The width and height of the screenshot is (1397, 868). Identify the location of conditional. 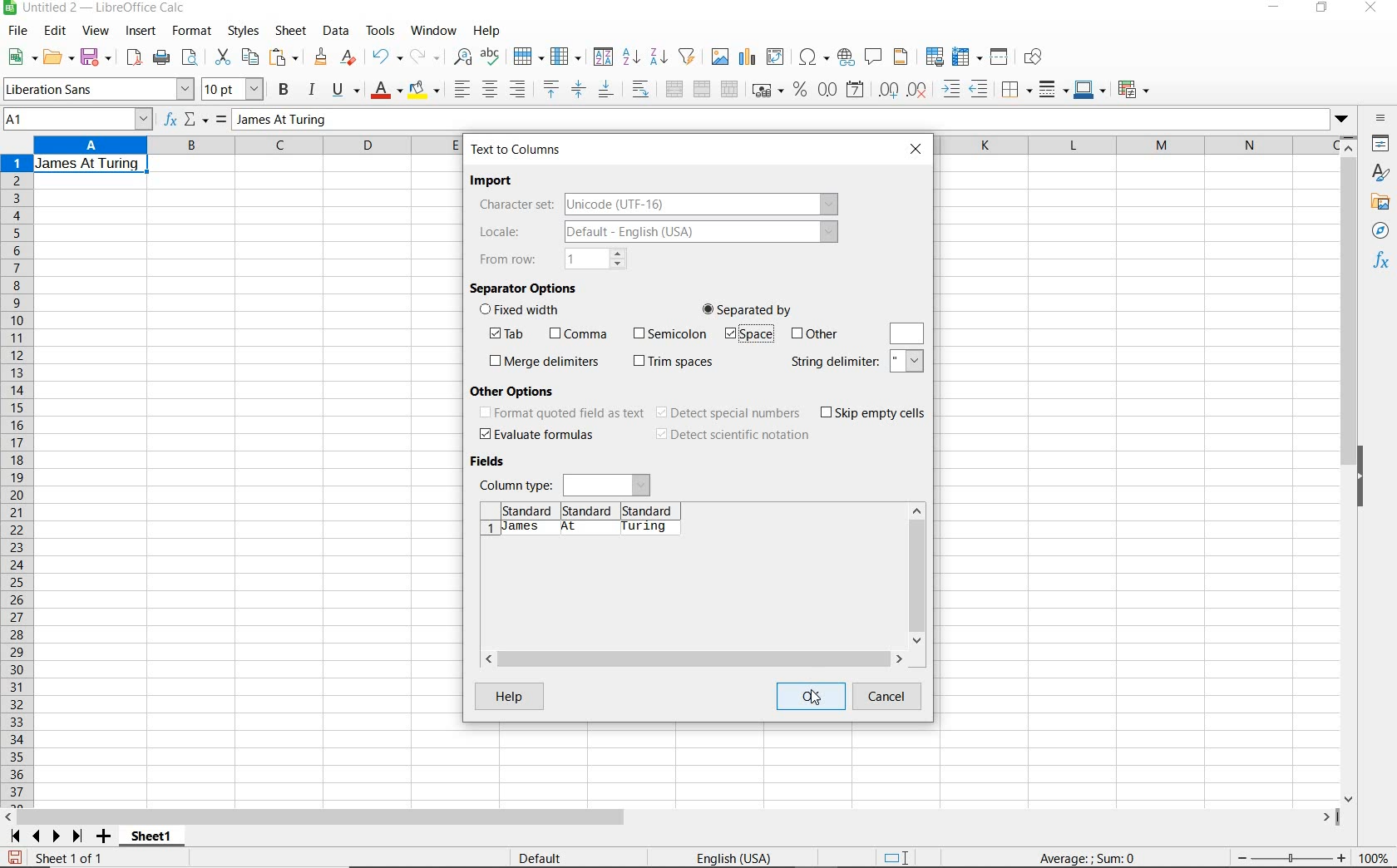
(1135, 88).